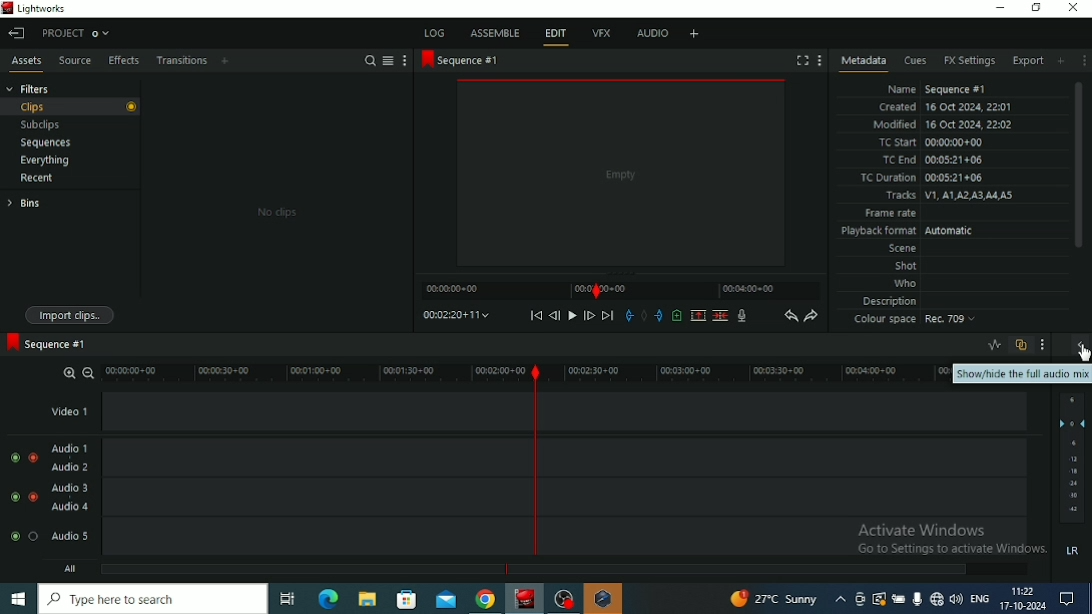 The width and height of the screenshot is (1092, 614). What do you see at coordinates (328, 598) in the screenshot?
I see `Microsoft Edge` at bounding box center [328, 598].